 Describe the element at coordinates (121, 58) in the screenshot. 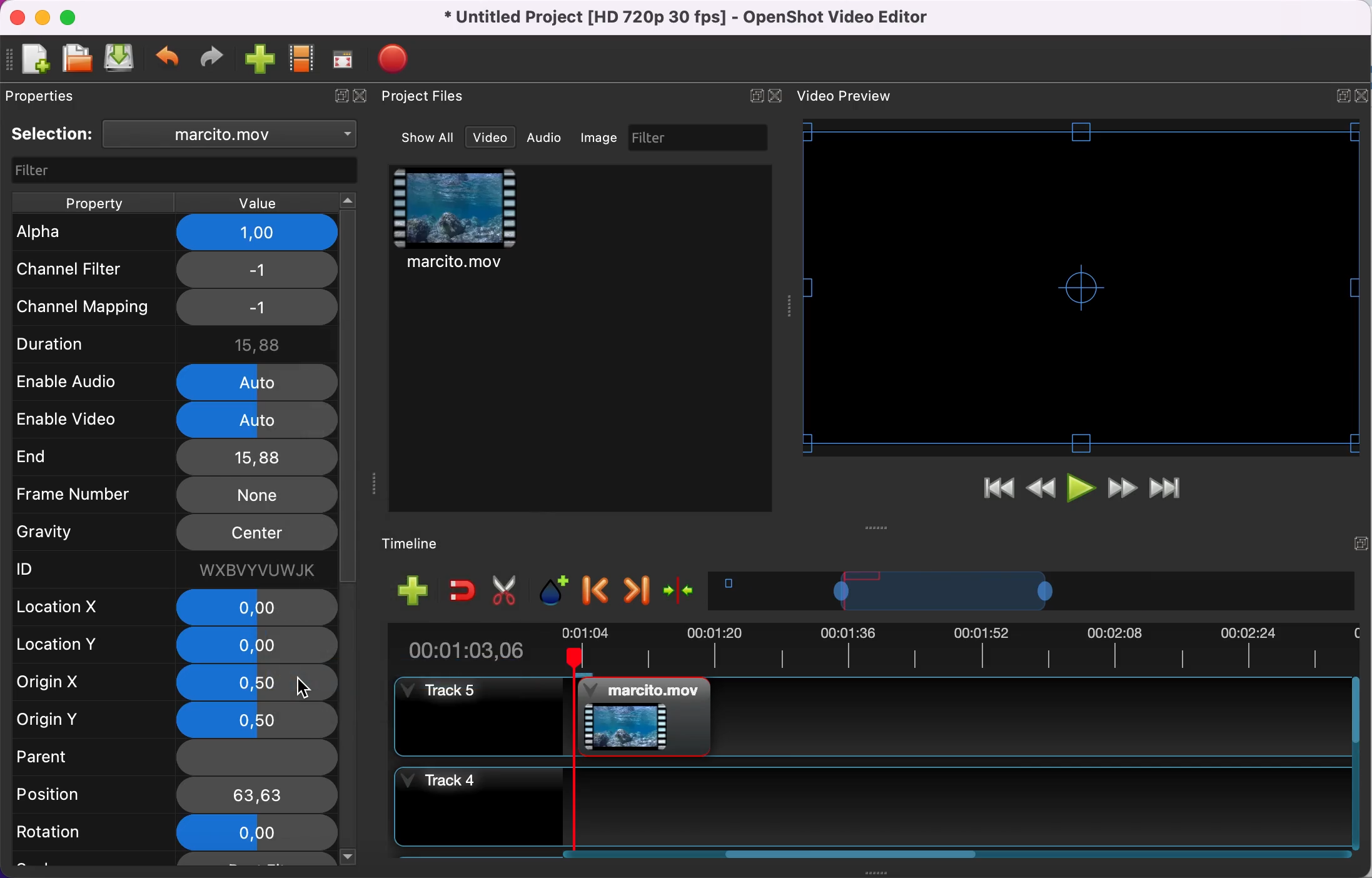

I see `save file` at that location.